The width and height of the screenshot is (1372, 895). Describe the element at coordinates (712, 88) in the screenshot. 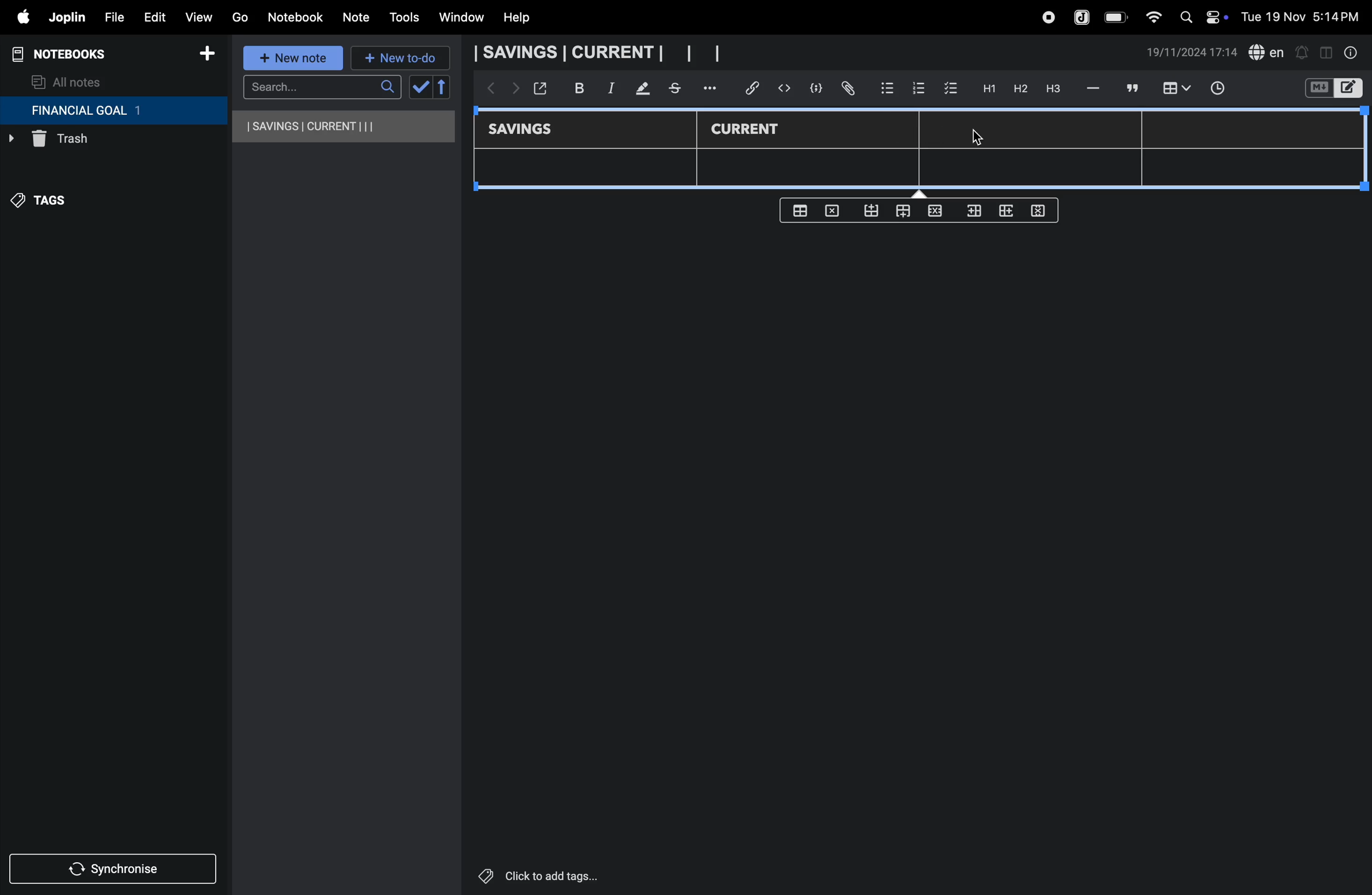

I see `options` at that location.